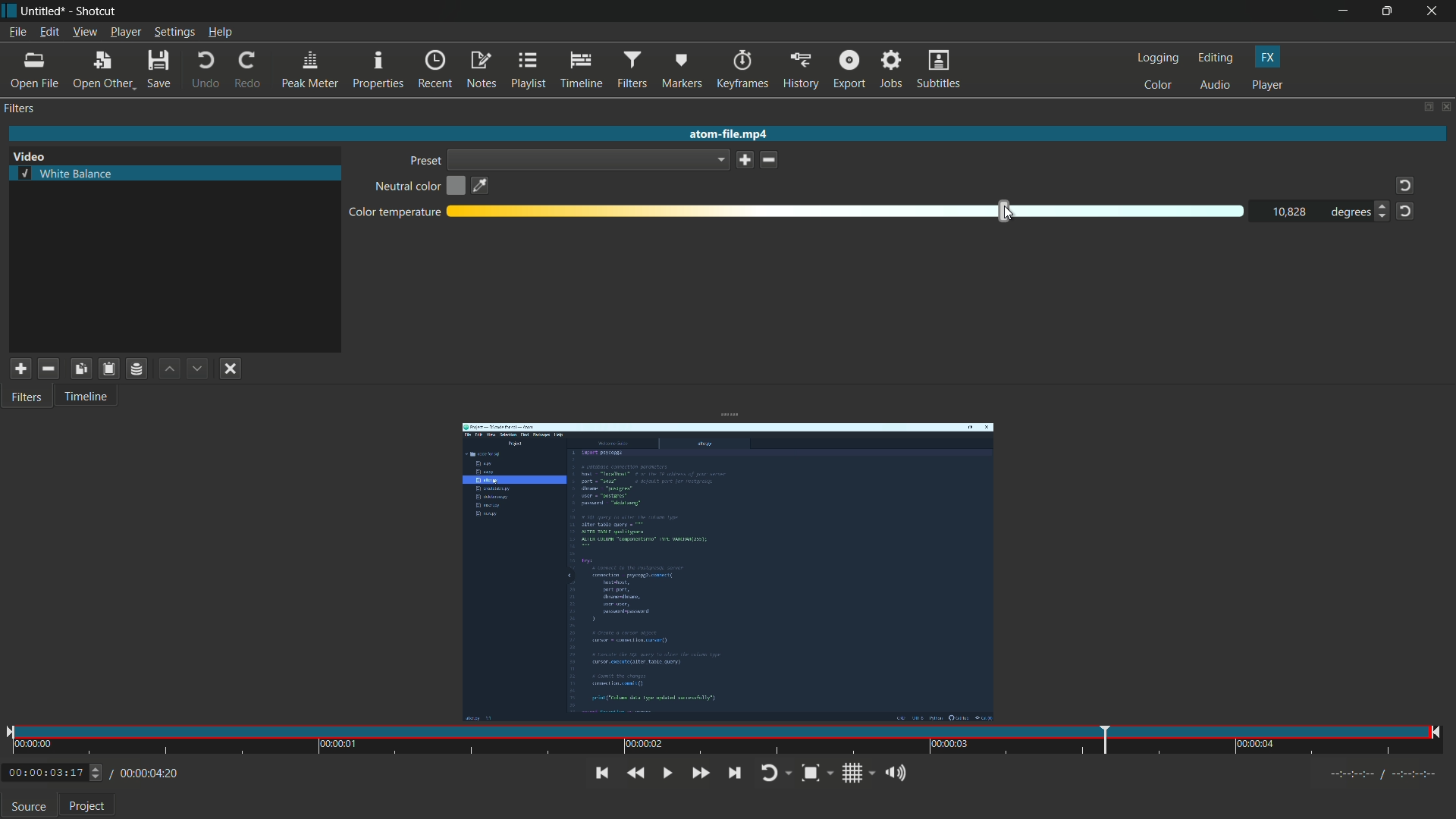 This screenshot has width=1456, height=819. What do you see at coordinates (1268, 86) in the screenshot?
I see `player` at bounding box center [1268, 86].